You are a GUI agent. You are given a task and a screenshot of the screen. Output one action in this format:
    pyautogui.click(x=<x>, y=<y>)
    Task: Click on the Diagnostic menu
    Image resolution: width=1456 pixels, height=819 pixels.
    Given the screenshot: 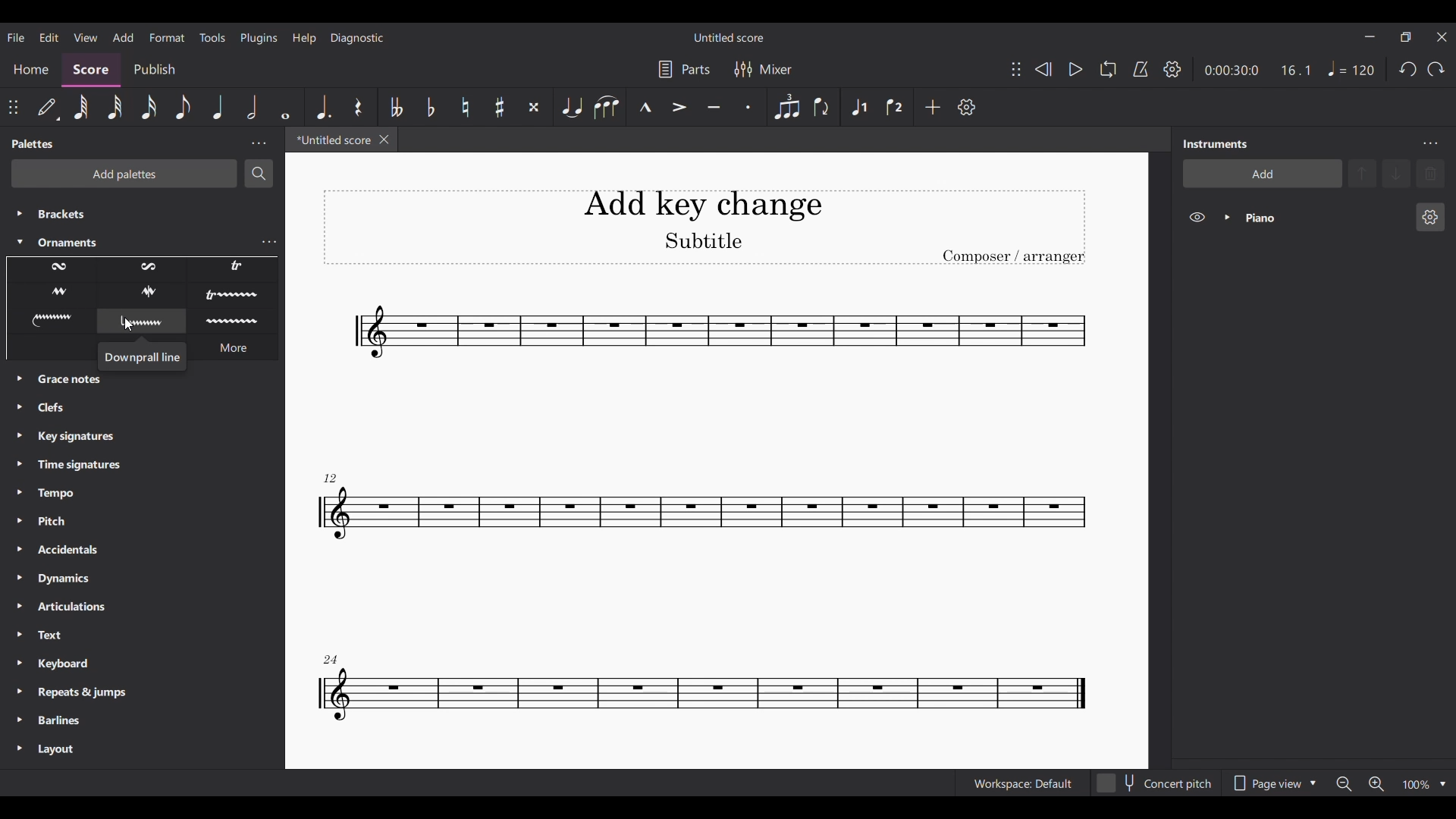 What is the action you would take?
    pyautogui.click(x=357, y=38)
    